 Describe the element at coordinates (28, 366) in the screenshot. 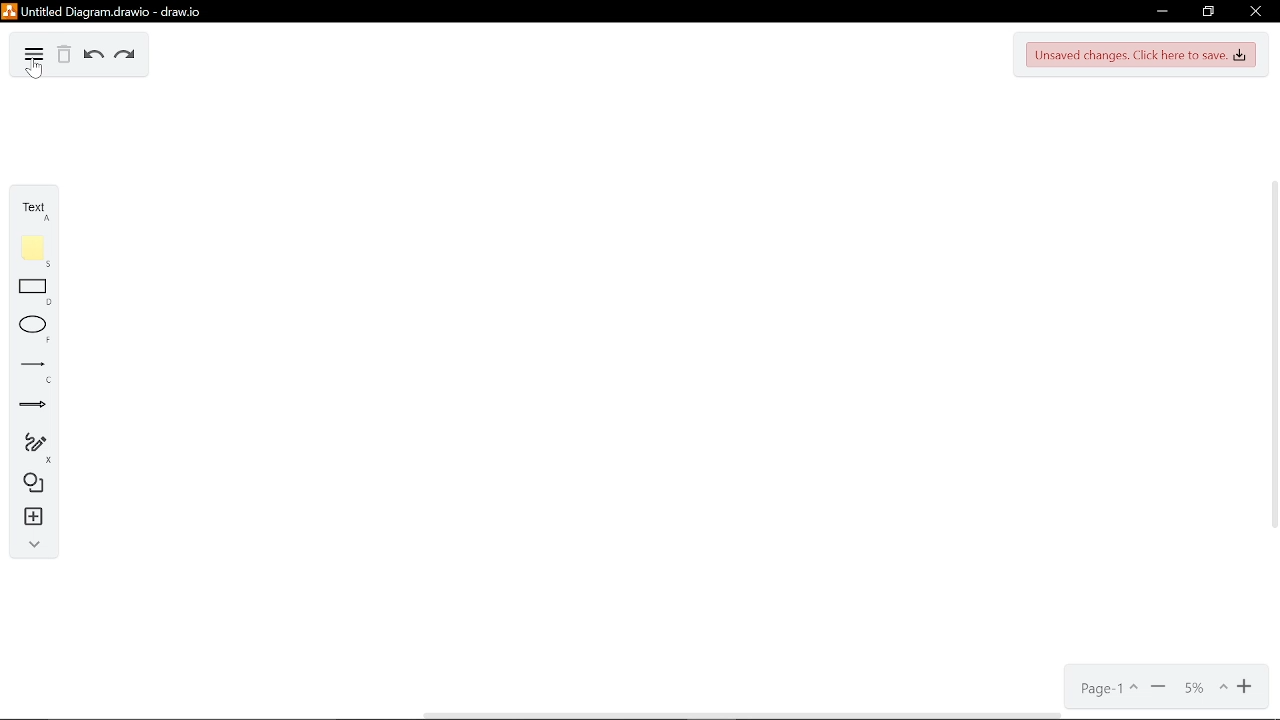

I see `Line` at that location.